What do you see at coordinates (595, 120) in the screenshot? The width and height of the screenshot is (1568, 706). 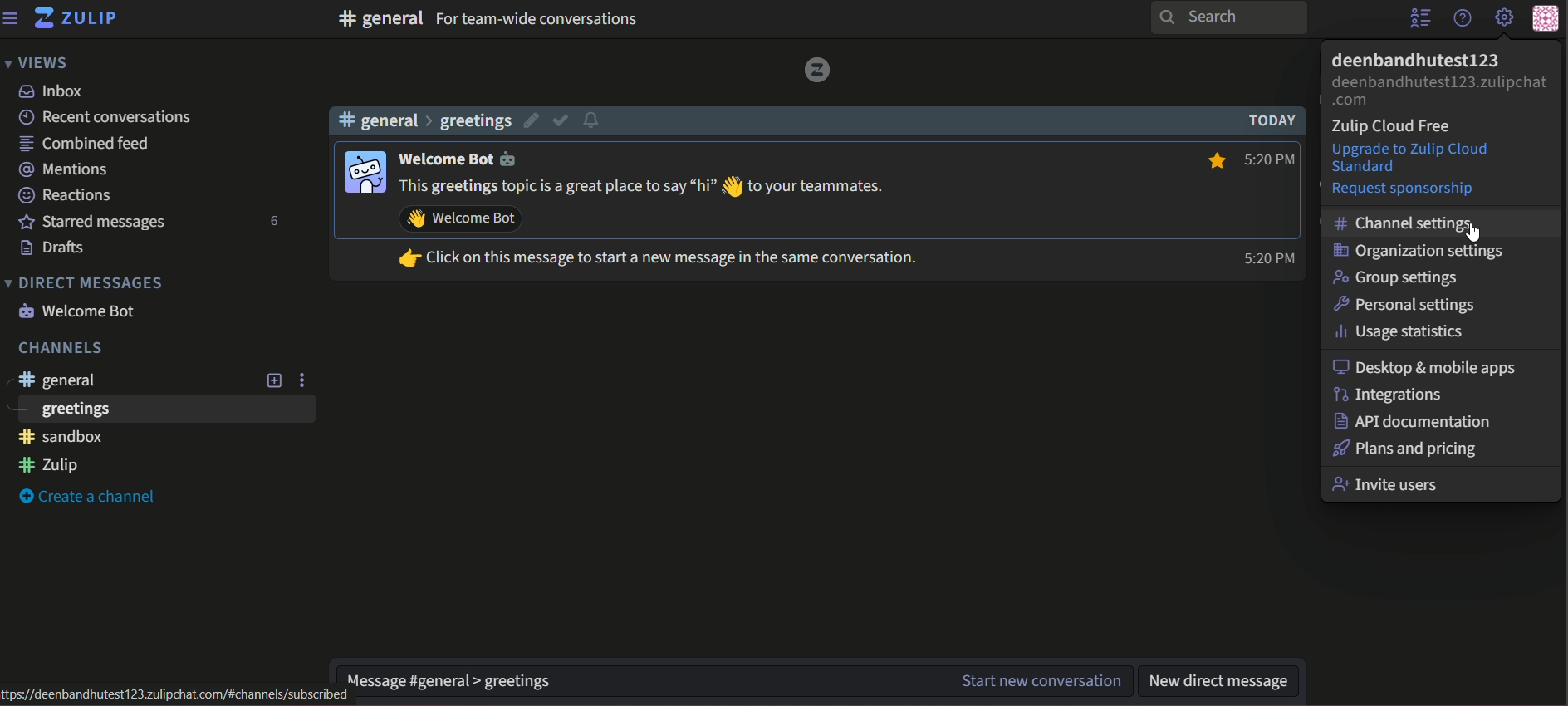 I see `notify` at bounding box center [595, 120].